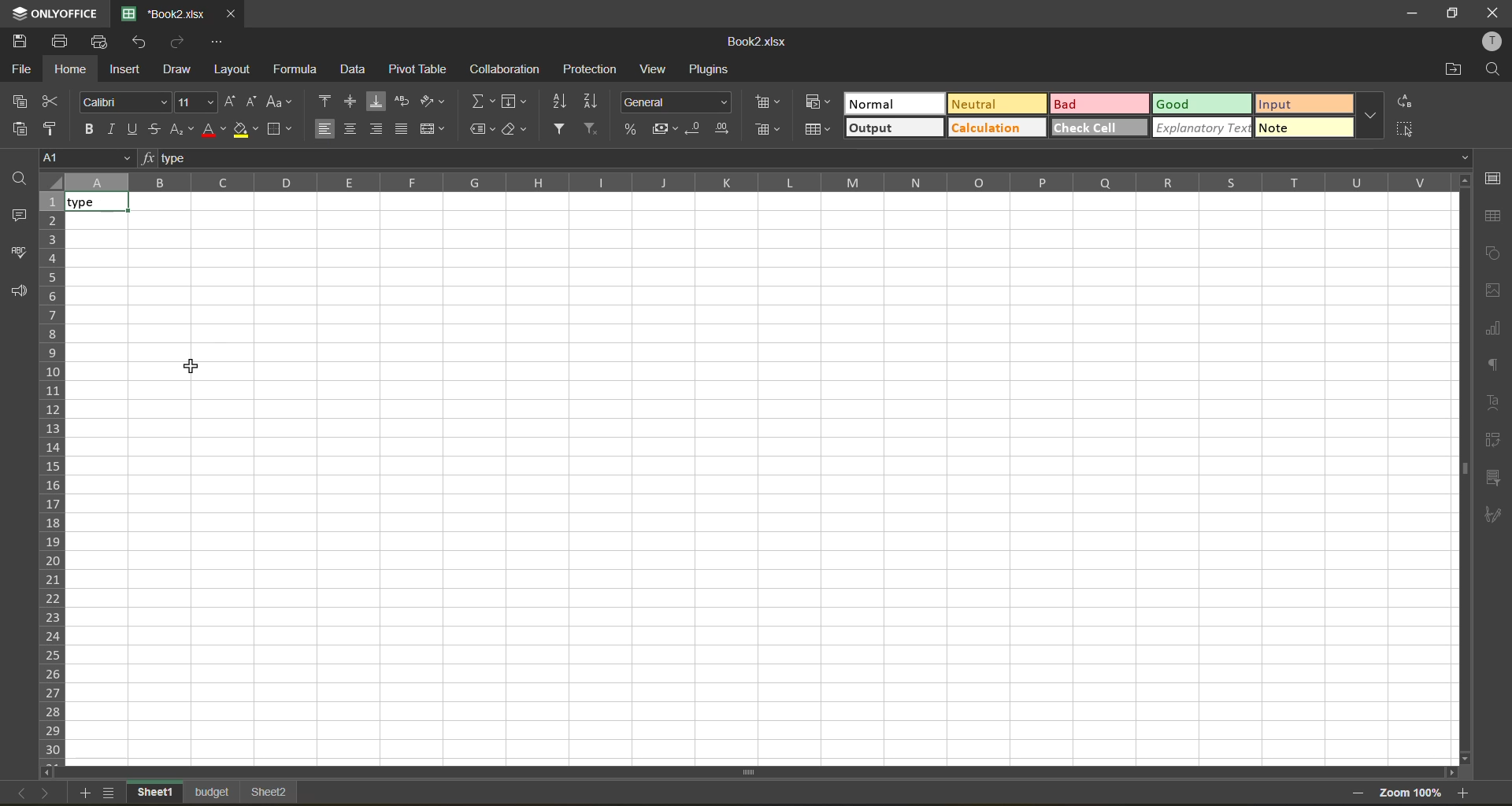 The height and width of the screenshot is (806, 1512). What do you see at coordinates (81, 792) in the screenshot?
I see `add sheet` at bounding box center [81, 792].